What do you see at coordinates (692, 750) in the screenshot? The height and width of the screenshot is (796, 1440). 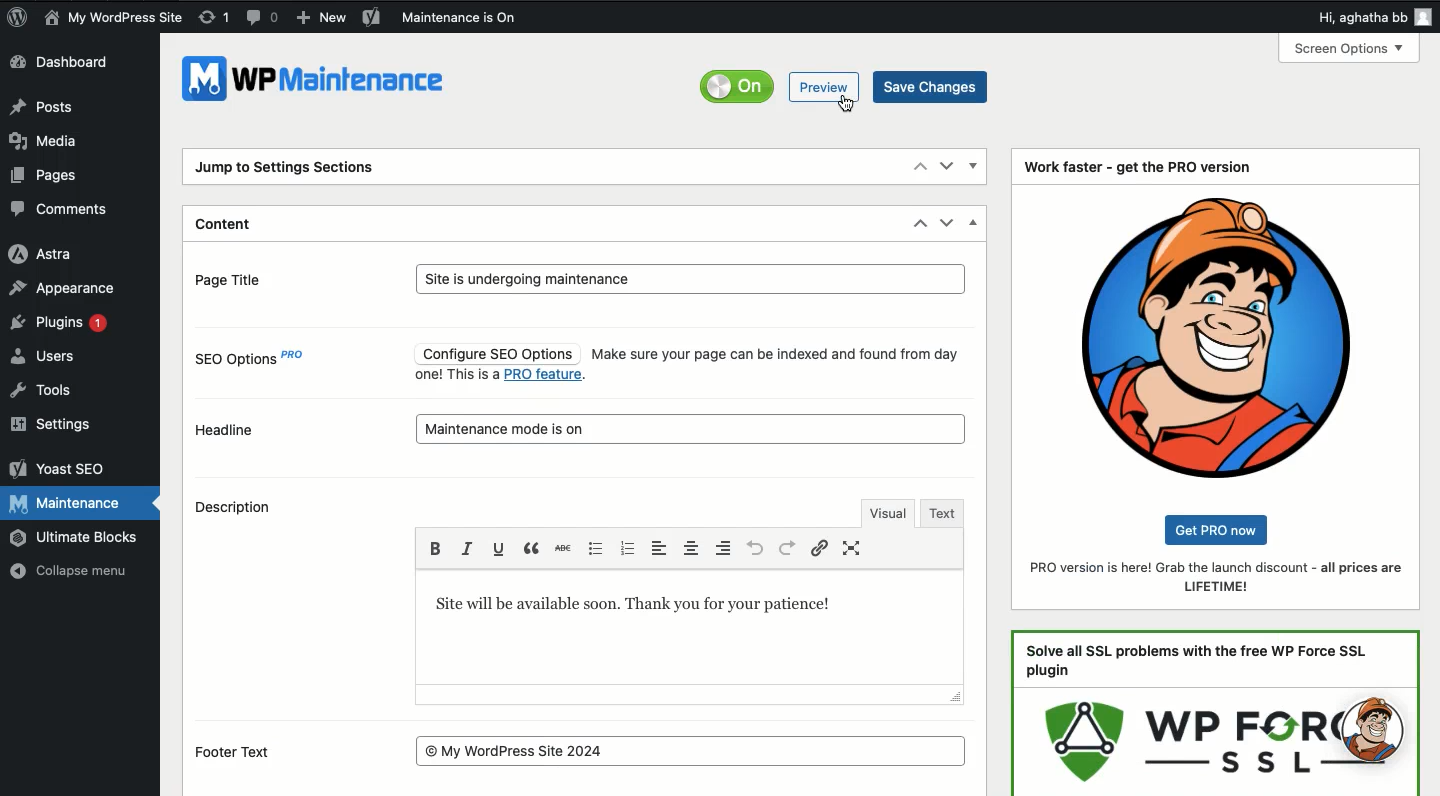 I see `© My WordPress Site 2024` at bounding box center [692, 750].